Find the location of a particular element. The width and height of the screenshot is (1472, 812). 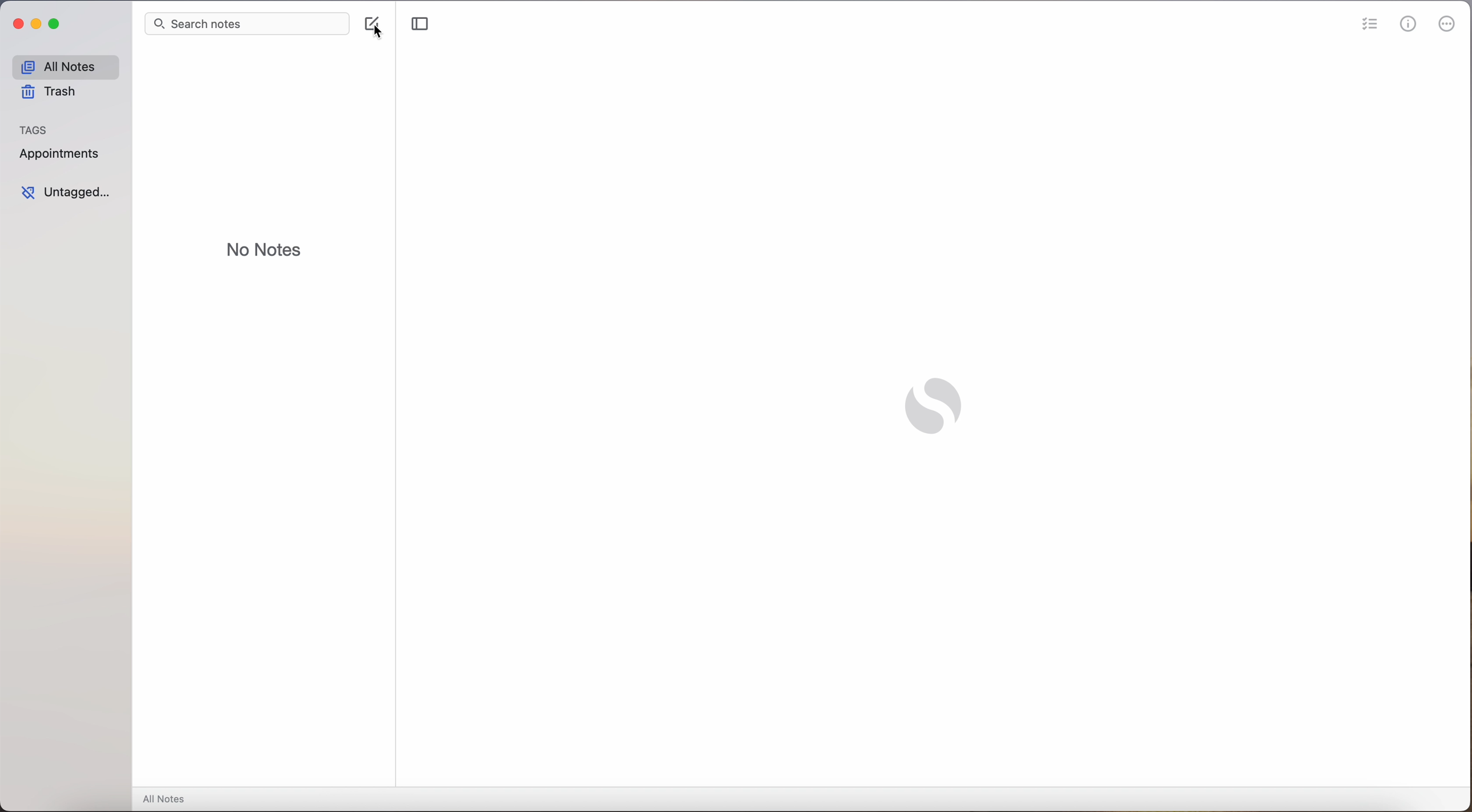

close app is located at coordinates (17, 25).